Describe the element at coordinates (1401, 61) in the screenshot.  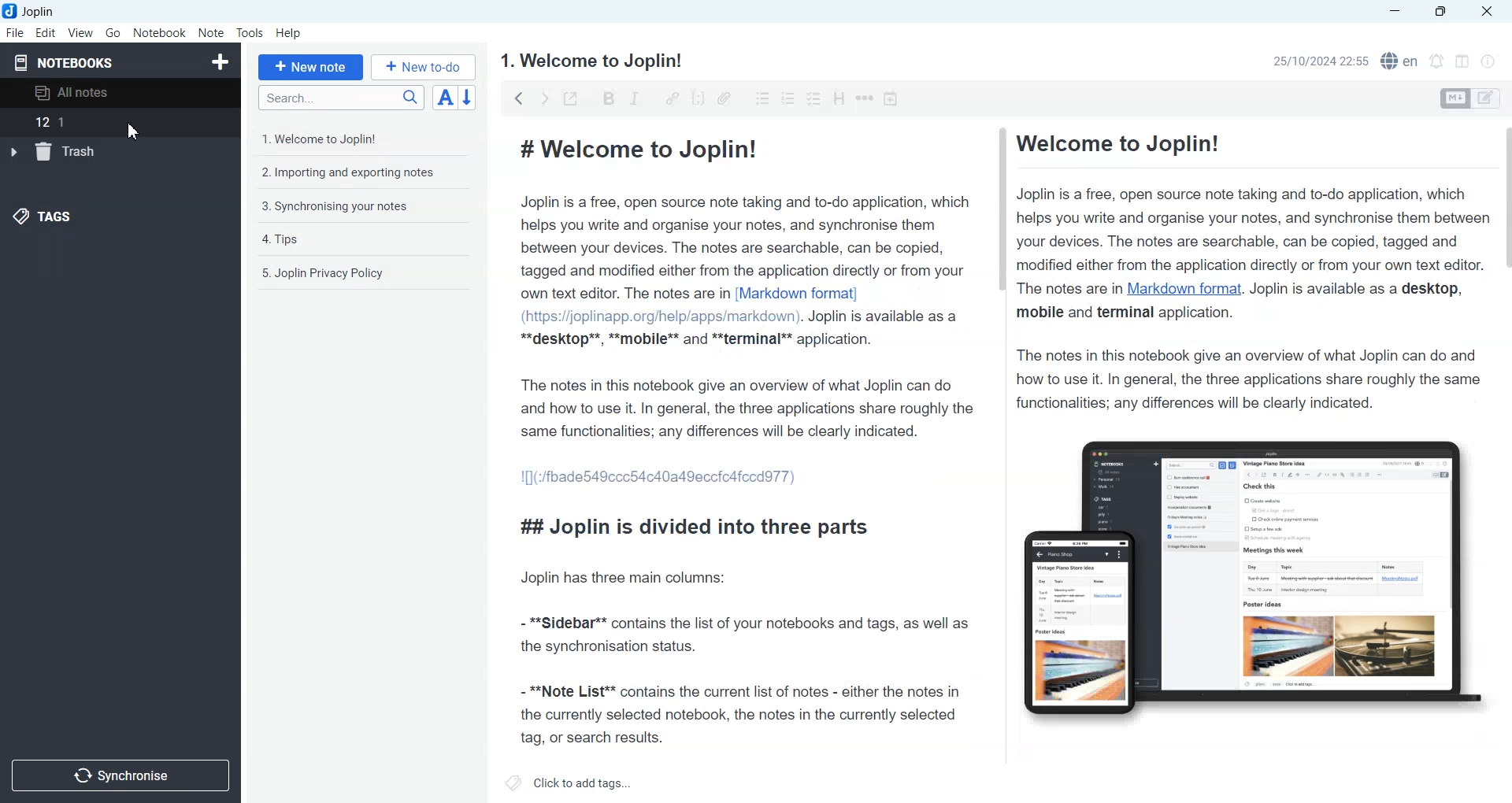
I see `Spell checker` at that location.